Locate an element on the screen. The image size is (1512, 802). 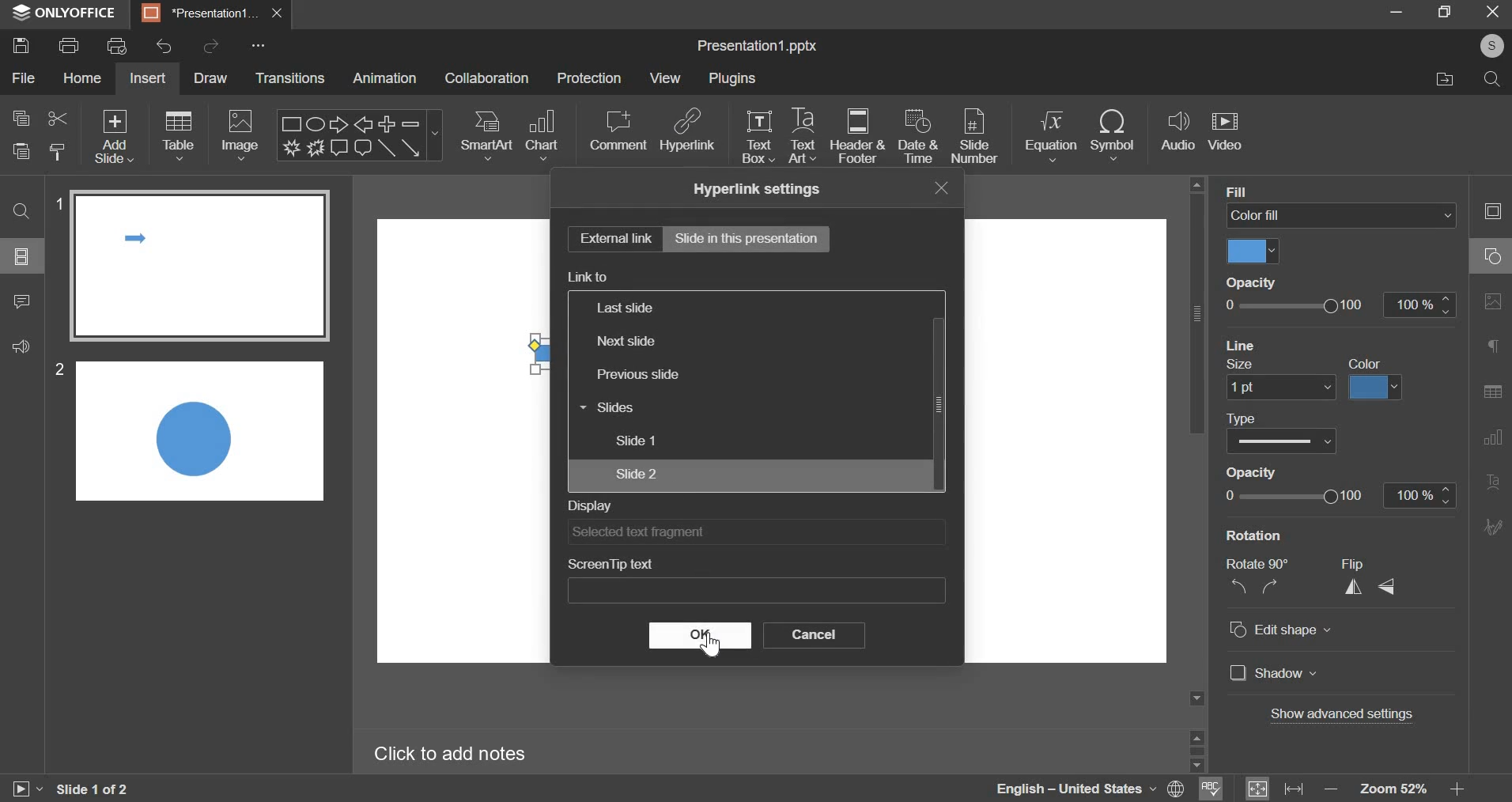
vertical scrollbar is located at coordinates (1197, 316).